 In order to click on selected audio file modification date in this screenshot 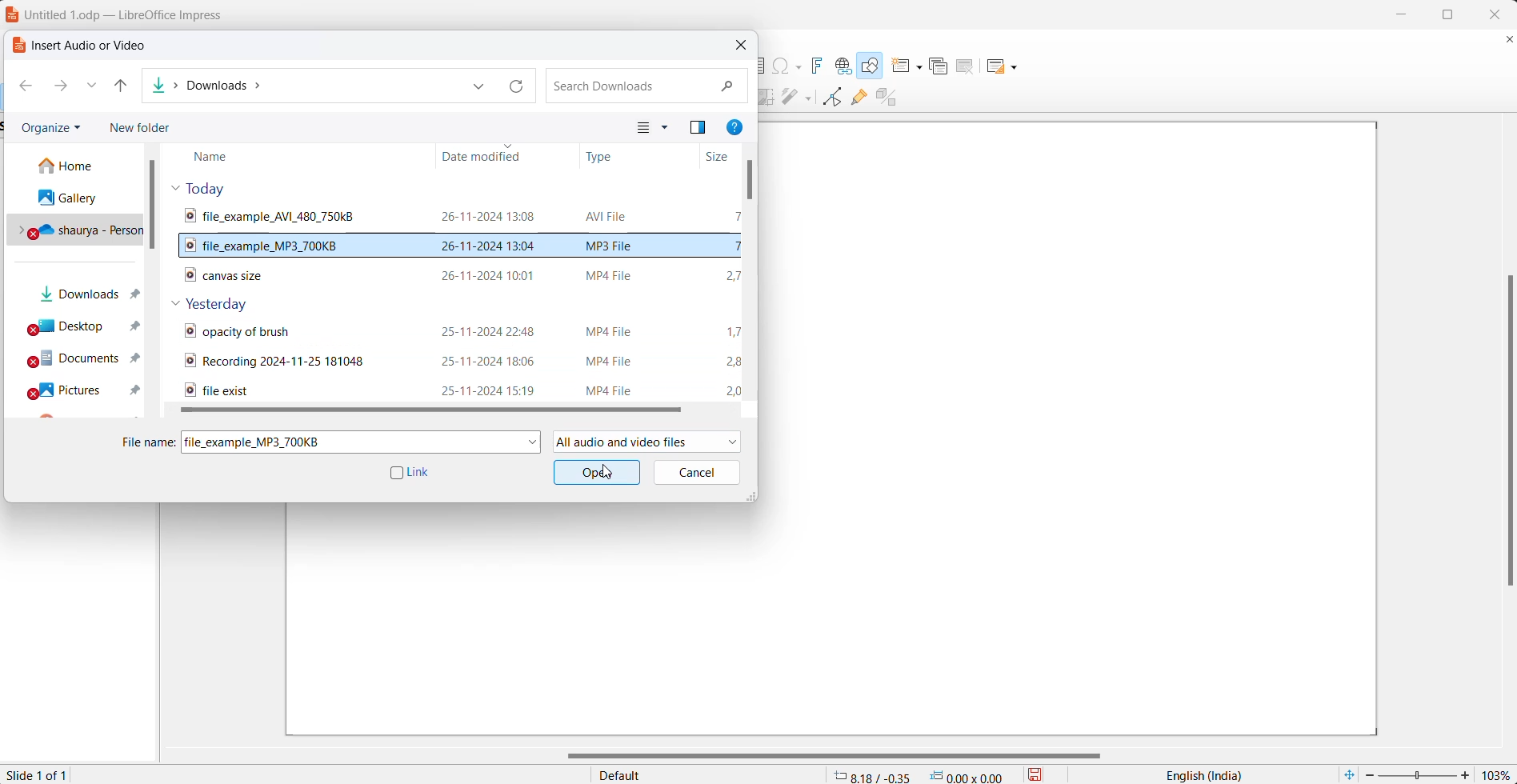, I will do `click(488, 244)`.